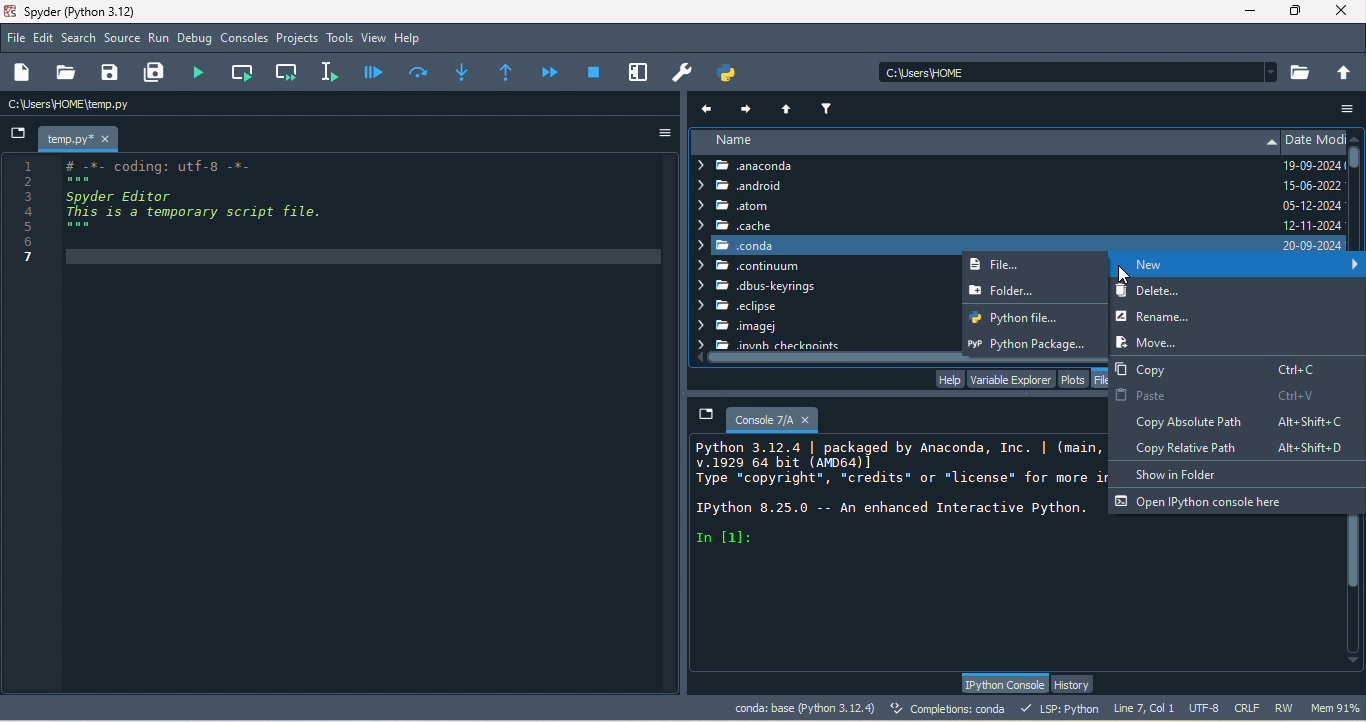 This screenshot has width=1366, height=722. Describe the element at coordinates (657, 133) in the screenshot. I see `options` at that location.